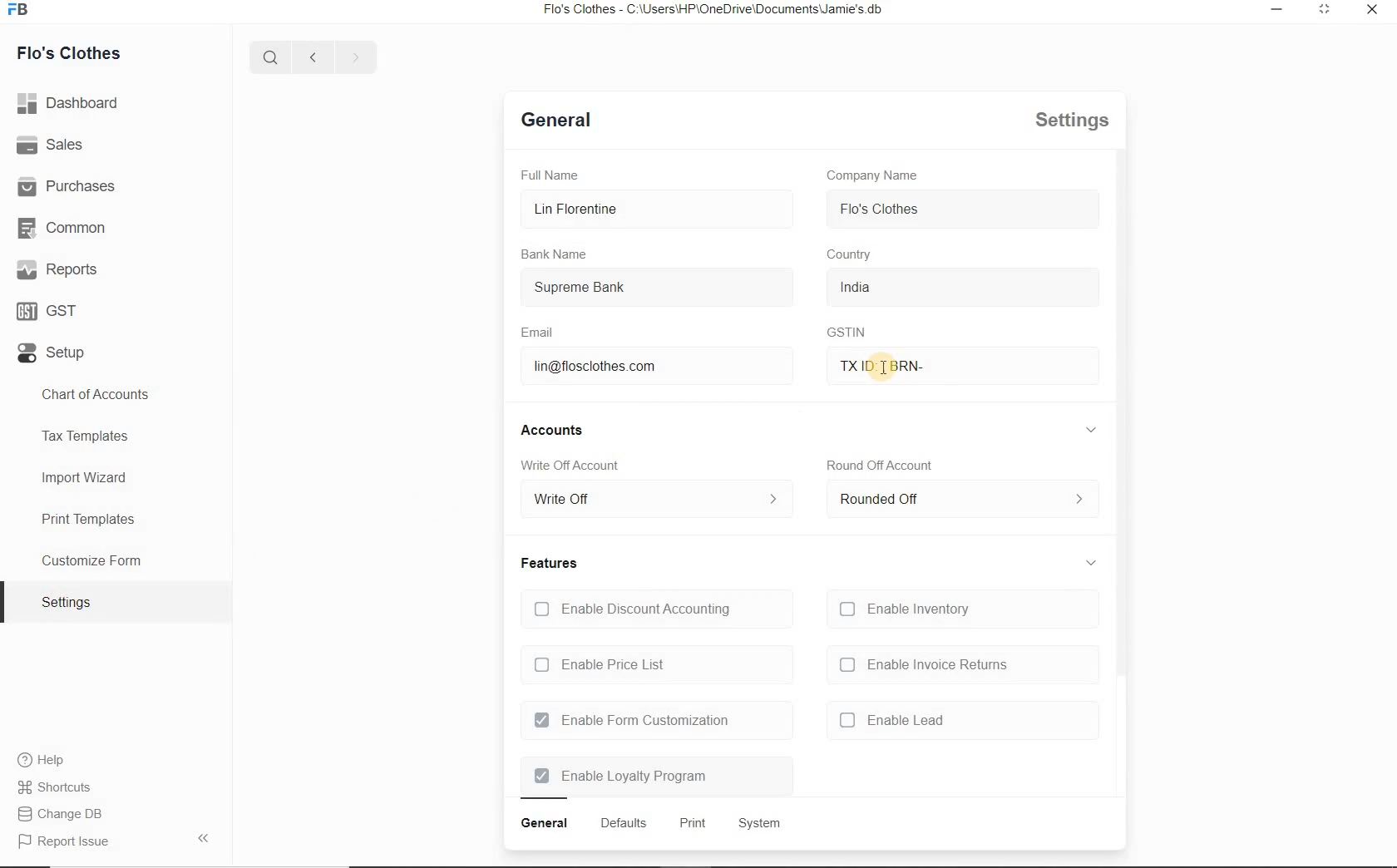  Describe the element at coordinates (550, 563) in the screenshot. I see `features` at that location.